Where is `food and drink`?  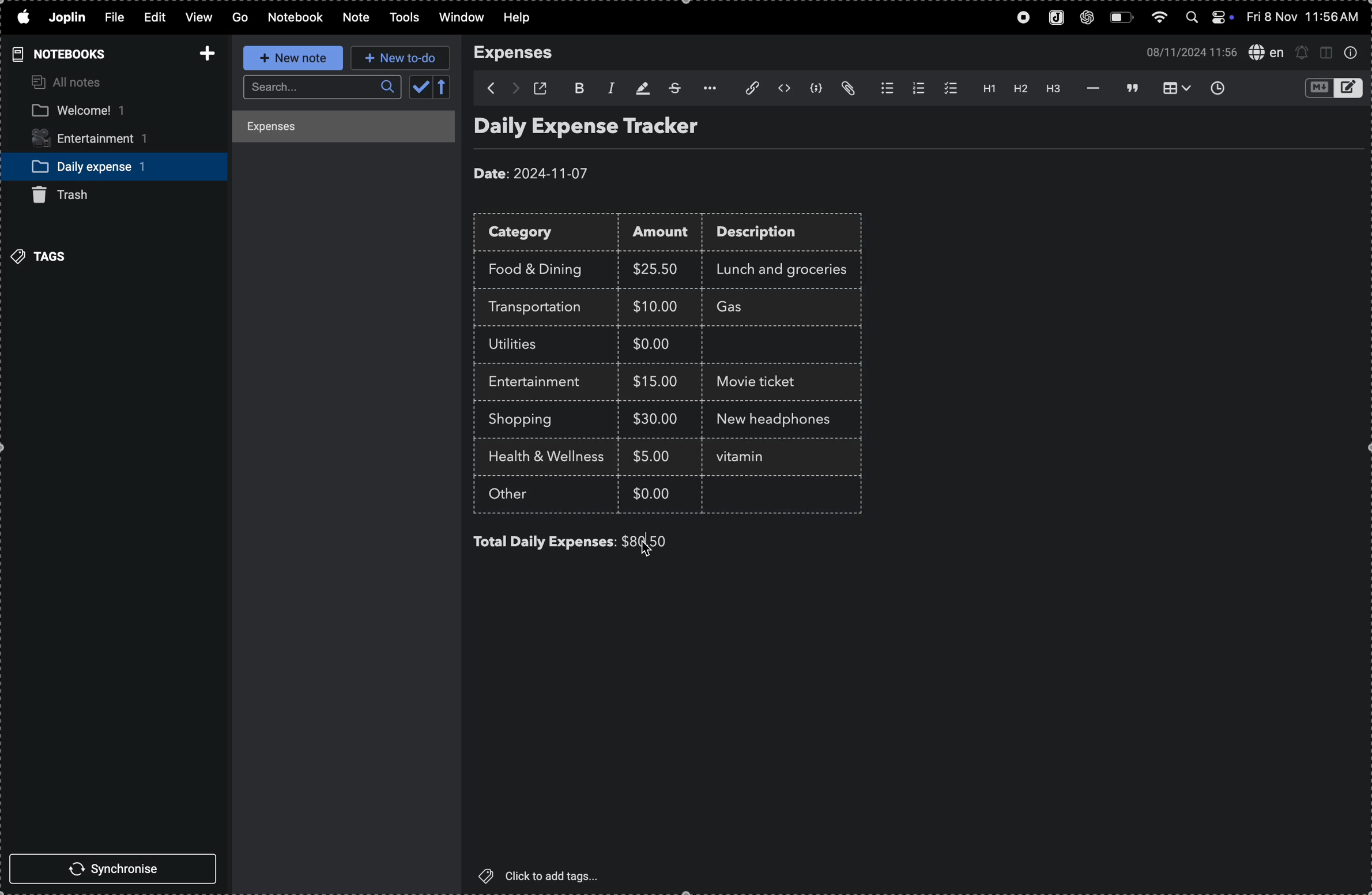
food and drink is located at coordinates (541, 267).